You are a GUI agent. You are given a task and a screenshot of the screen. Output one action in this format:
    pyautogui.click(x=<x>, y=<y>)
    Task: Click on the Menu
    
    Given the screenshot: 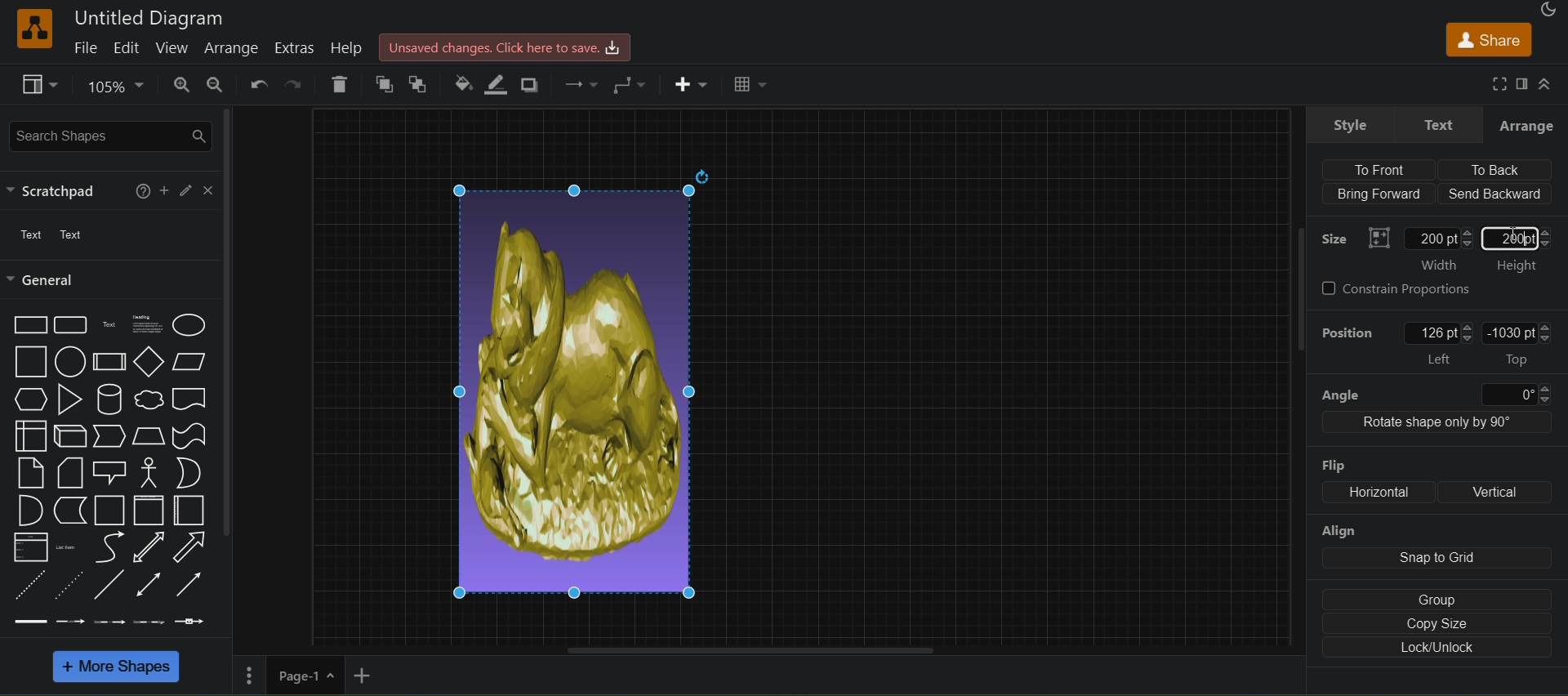 What is the action you would take?
    pyautogui.click(x=247, y=678)
    